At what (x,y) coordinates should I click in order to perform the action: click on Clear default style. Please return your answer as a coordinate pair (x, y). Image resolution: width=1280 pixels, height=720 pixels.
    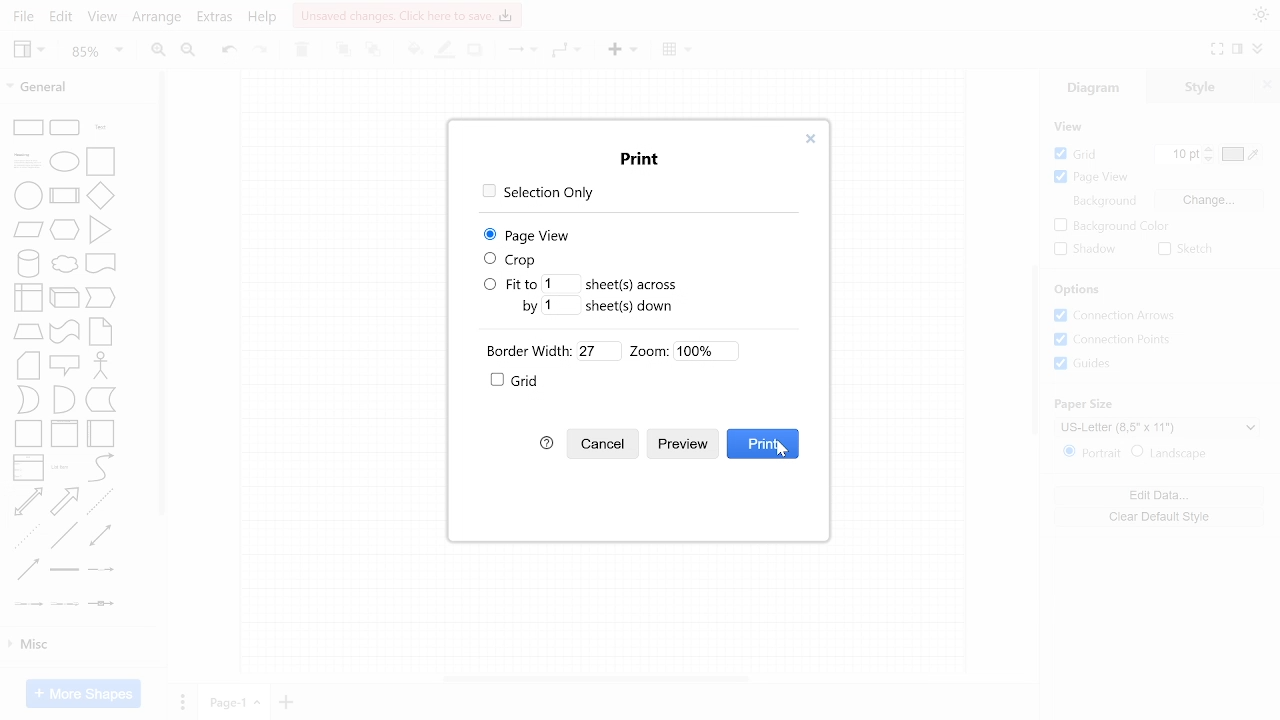
    Looking at the image, I should click on (1159, 517).